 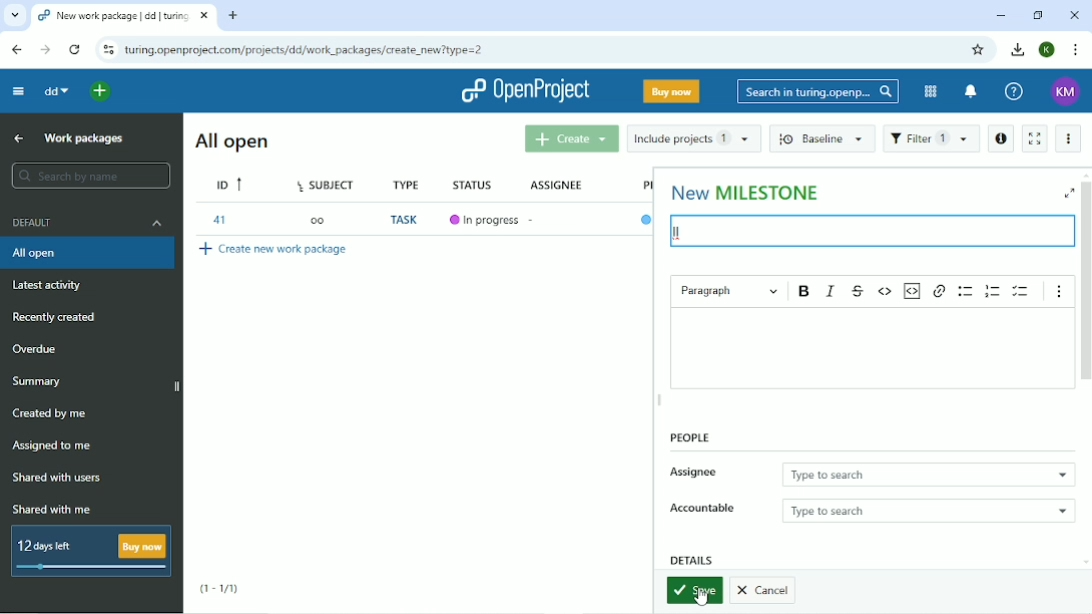 What do you see at coordinates (51, 414) in the screenshot?
I see `Created by me` at bounding box center [51, 414].